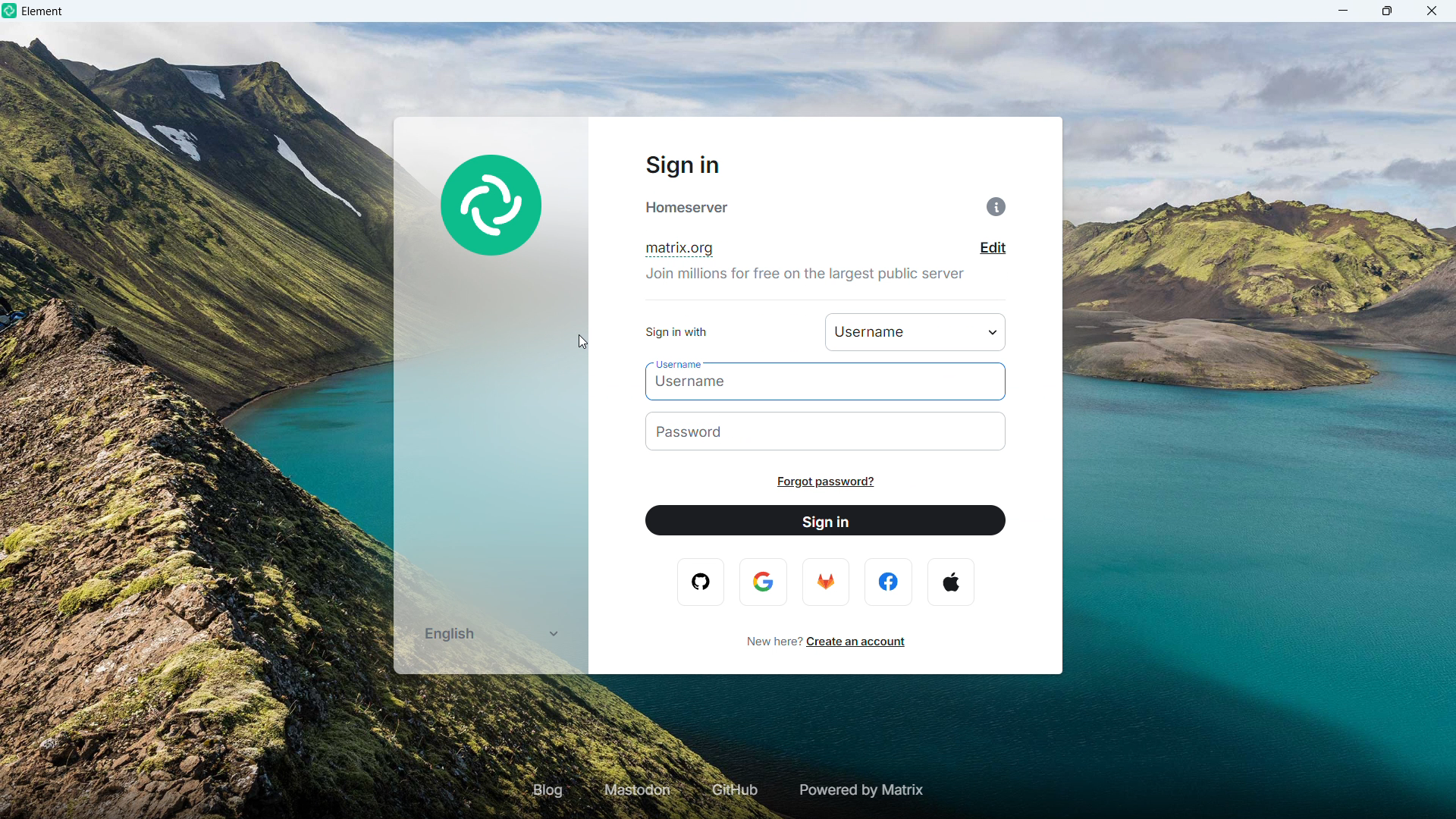 This screenshot has width=1456, height=819. Describe the element at coordinates (585, 342) in the screenshot. I see `cursor movement` at that location.